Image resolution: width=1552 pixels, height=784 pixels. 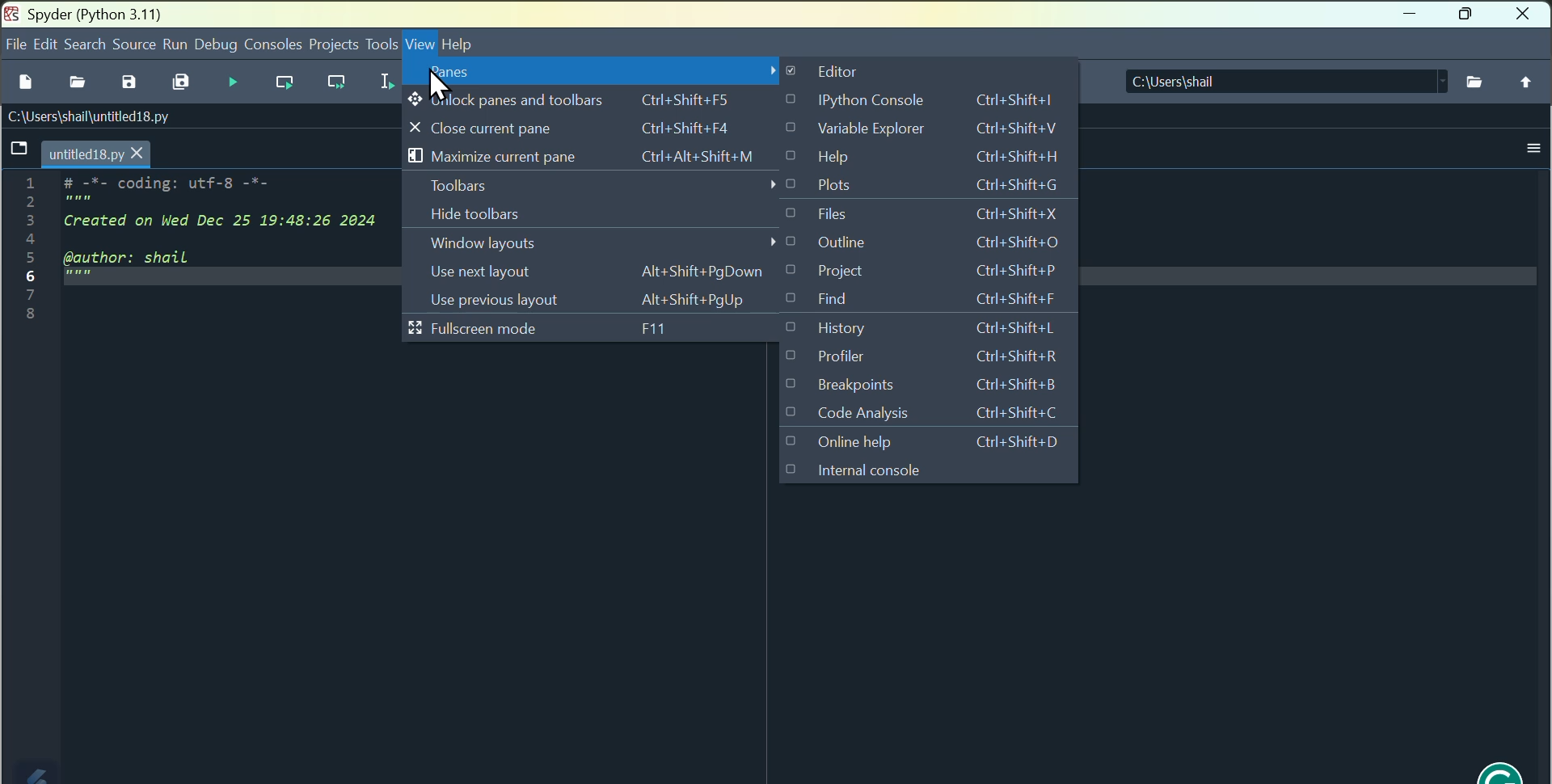 I want to click on Spyder python three point one, so click(x=107, y=13).